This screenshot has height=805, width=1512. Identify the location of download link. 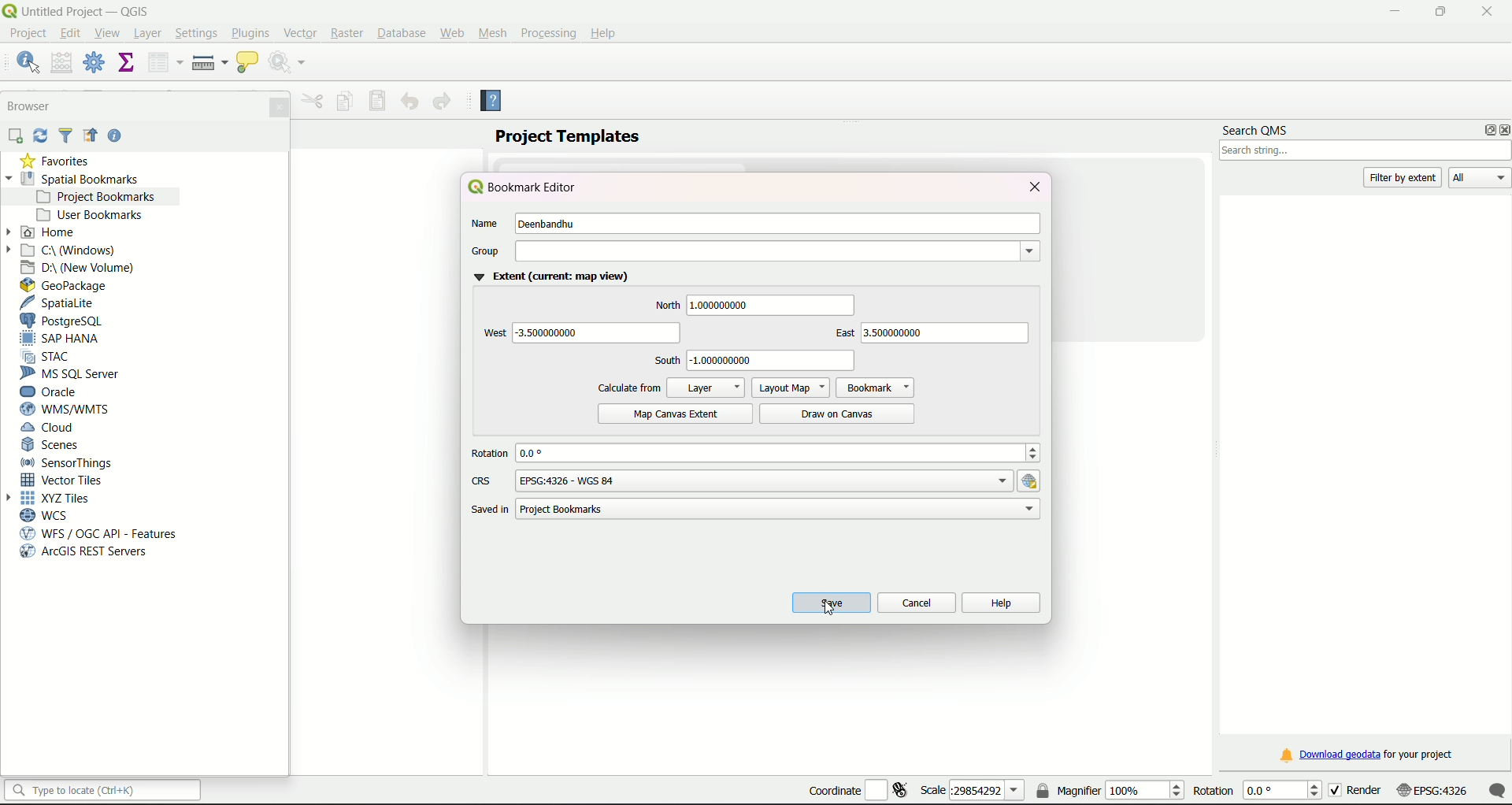
(1366, 755).